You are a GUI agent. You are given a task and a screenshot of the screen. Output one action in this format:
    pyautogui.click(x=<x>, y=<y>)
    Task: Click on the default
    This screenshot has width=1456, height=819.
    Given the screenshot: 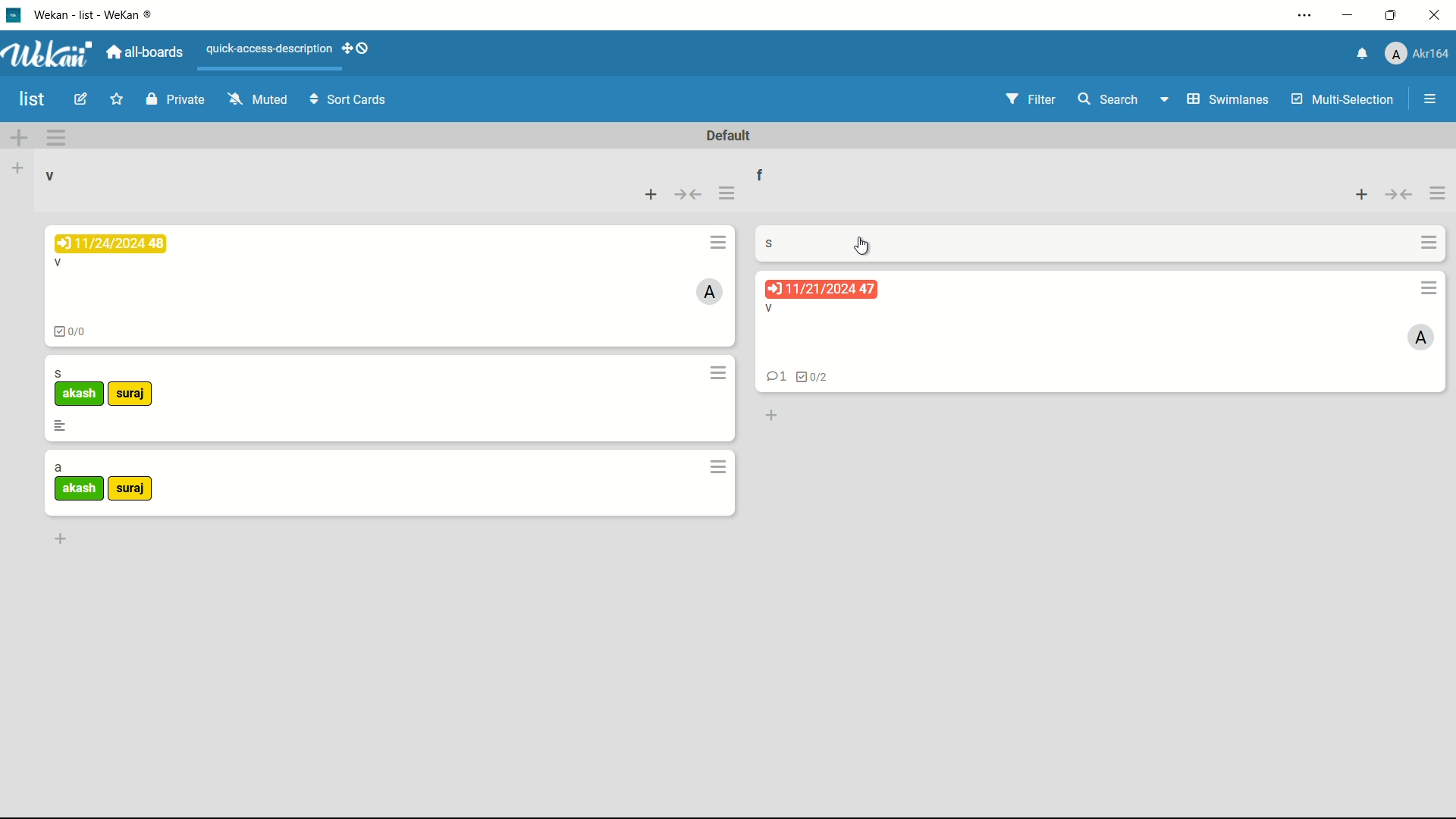 What is the action you would take?
    pyautogui.click(x=730, y=136)
    